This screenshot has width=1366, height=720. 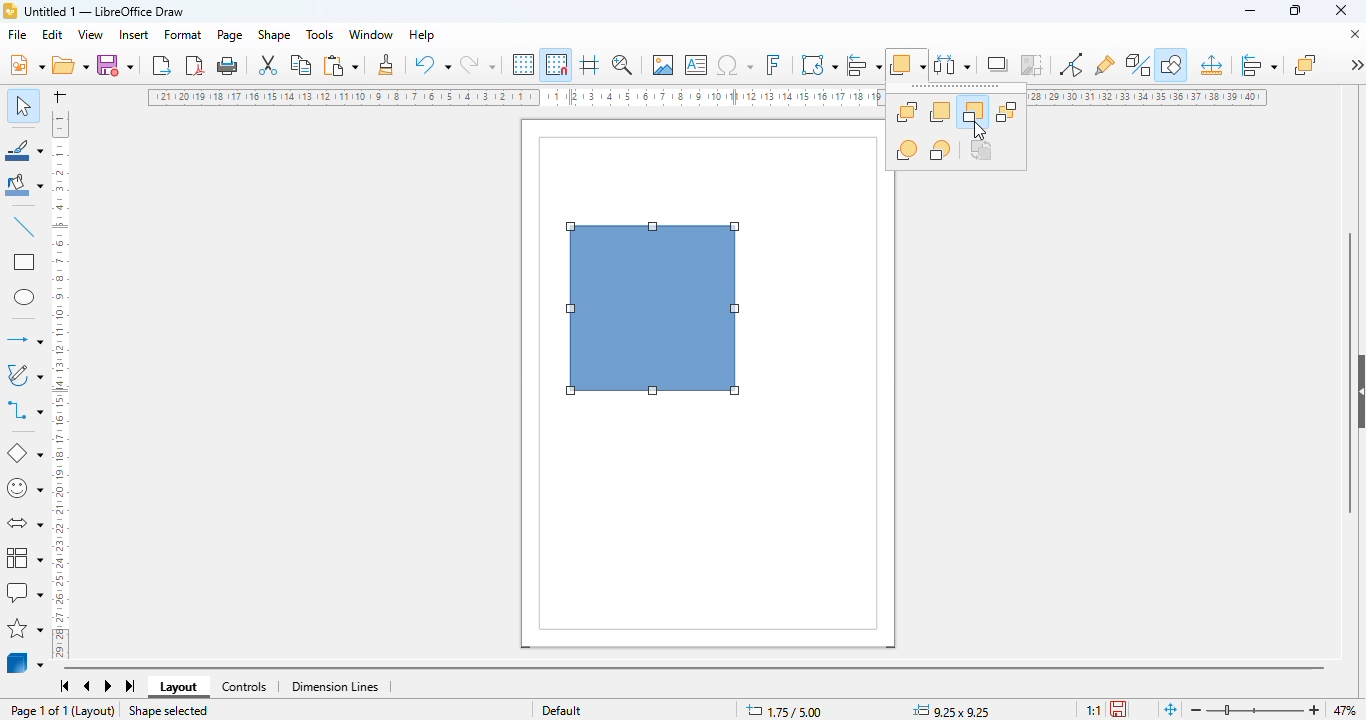 I want to click on select at least three objects to distribute, so click(x=953, y=64).